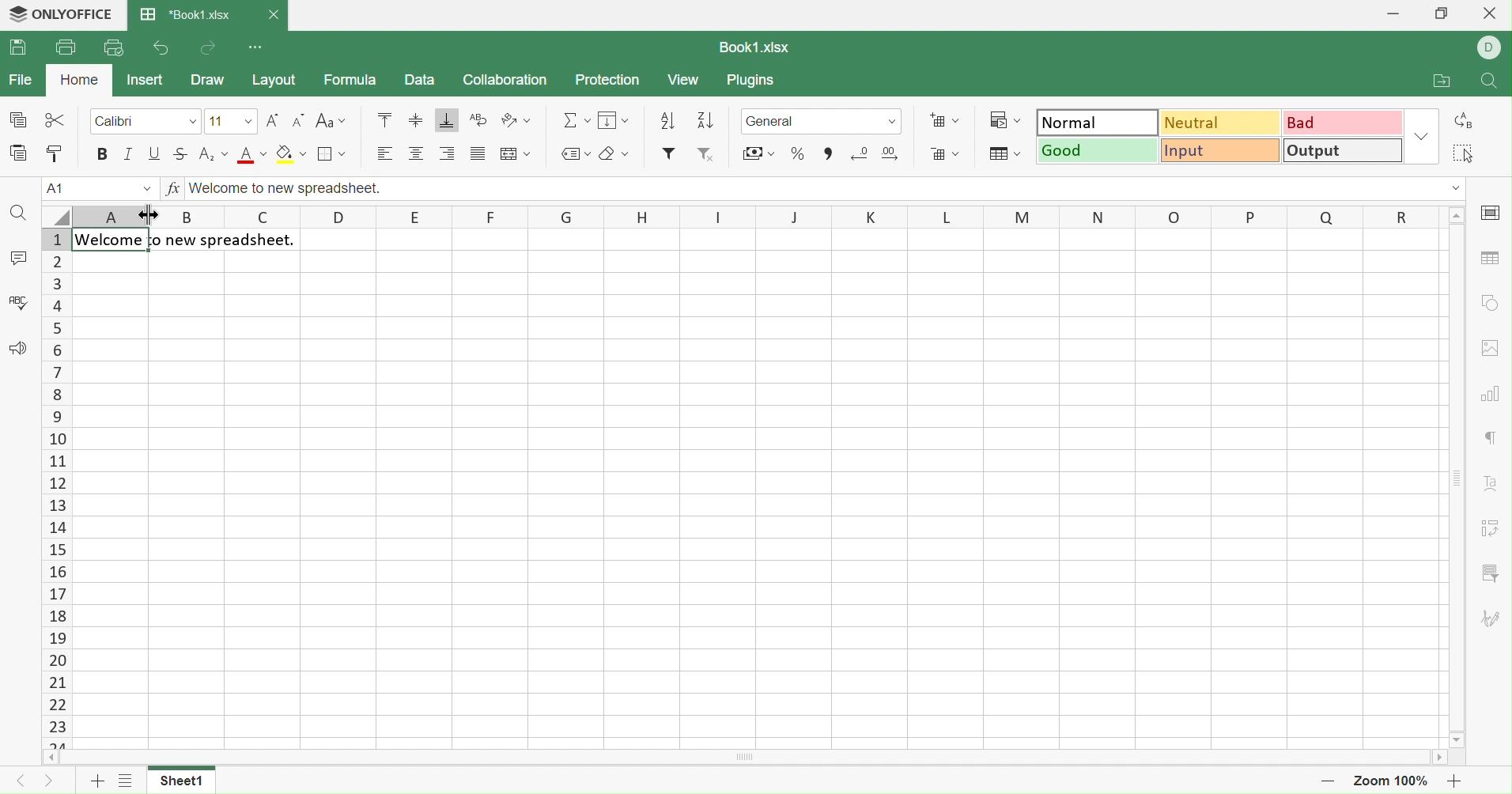 This screenshot has width=1512, height=794. I want to click on Redo, so click(211, 49).